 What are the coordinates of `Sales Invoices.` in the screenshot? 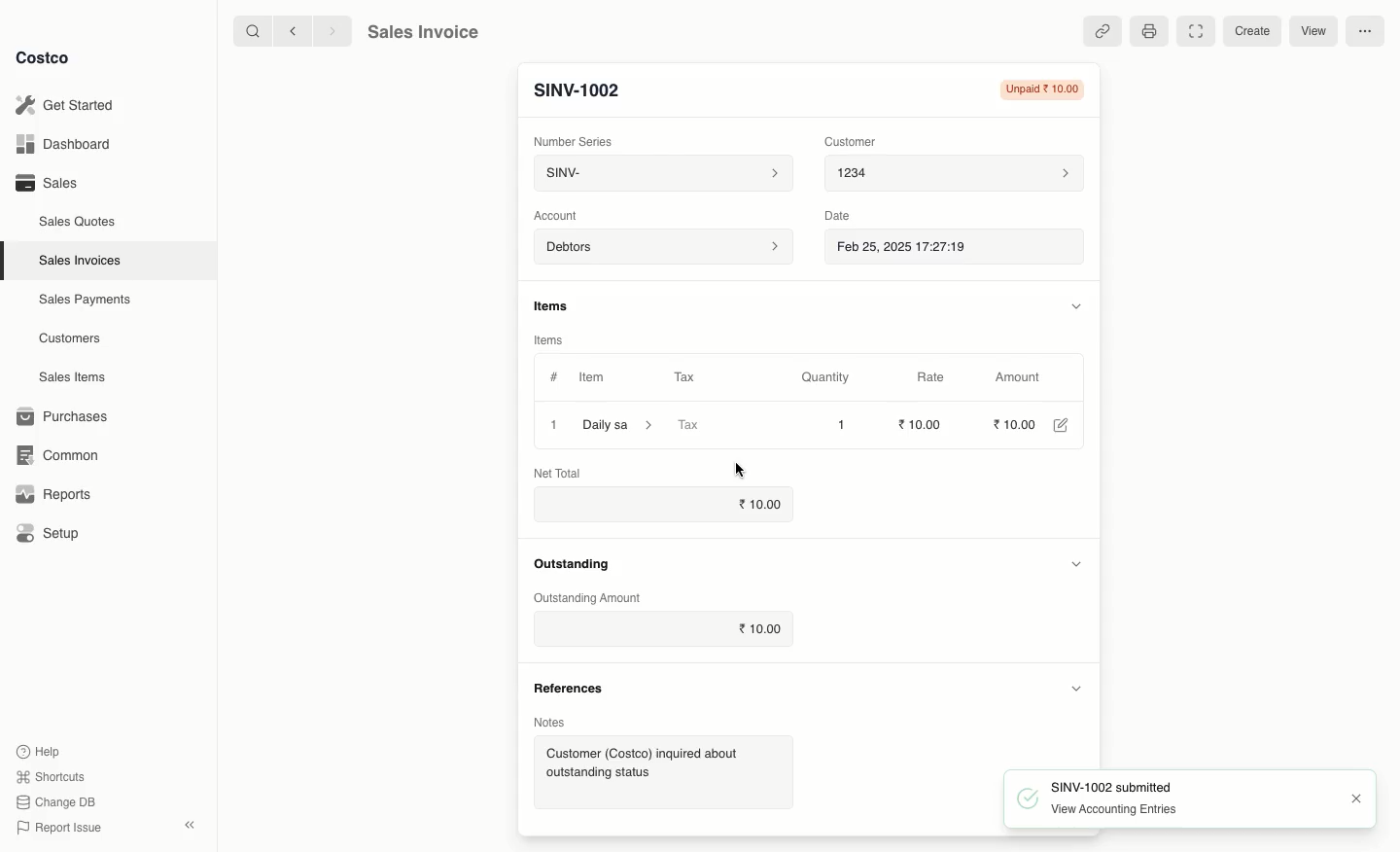 It's located at (78, 262).